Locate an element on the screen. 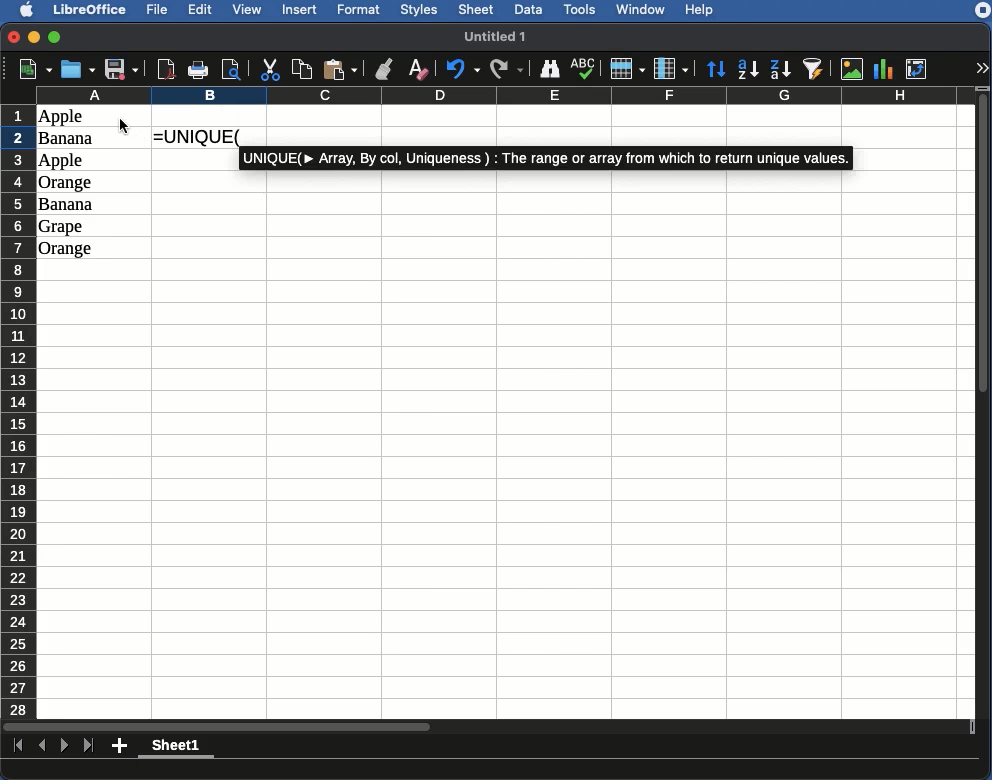 This screenshot has width=992, height=780. Paste is located at coordinates (342, 69).